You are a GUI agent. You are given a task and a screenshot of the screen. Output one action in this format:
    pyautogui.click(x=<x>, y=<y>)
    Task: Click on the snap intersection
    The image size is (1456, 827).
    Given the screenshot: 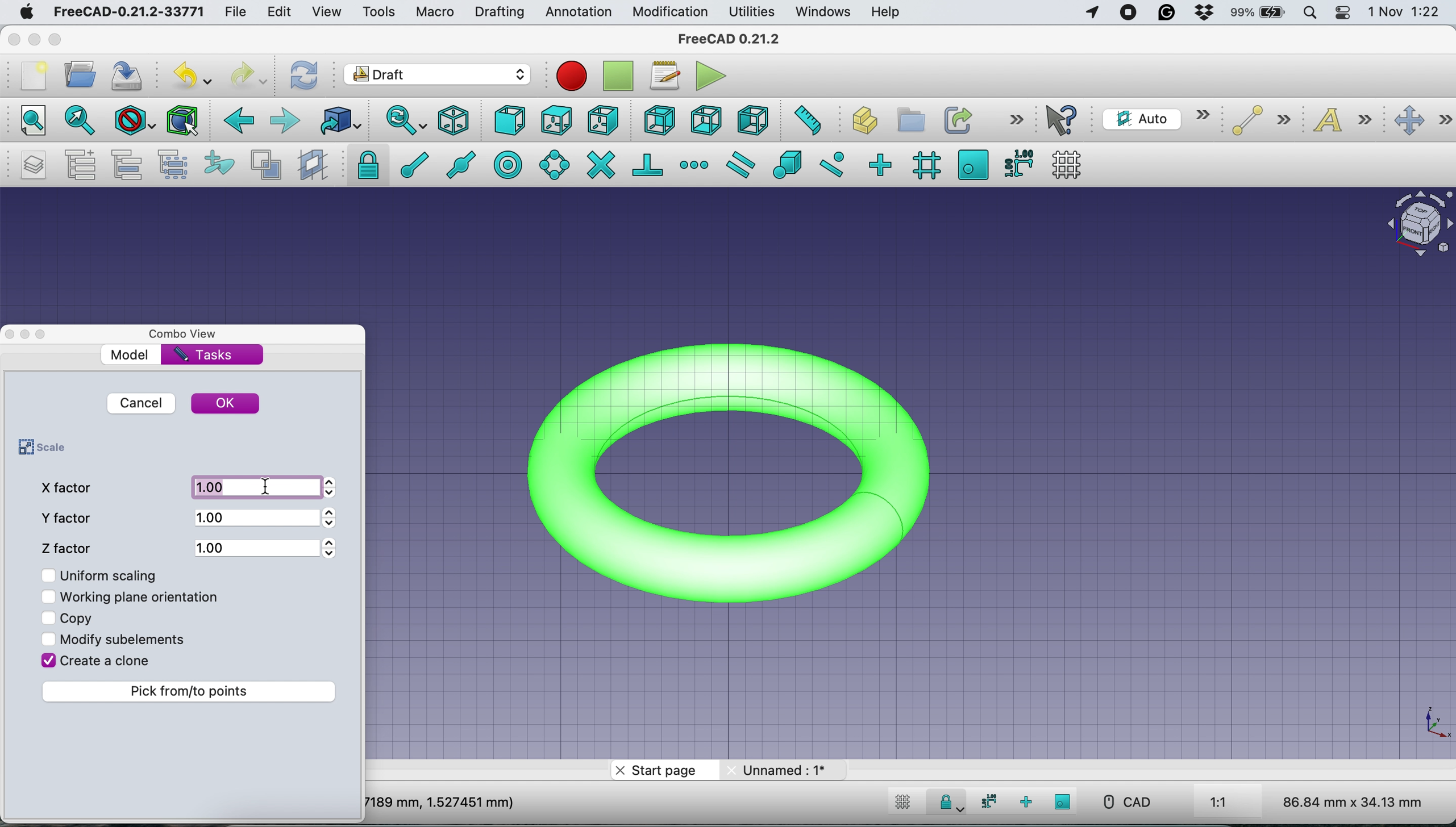 What is the action you would take?
    pyautogui.click(x=600, y=165)
    